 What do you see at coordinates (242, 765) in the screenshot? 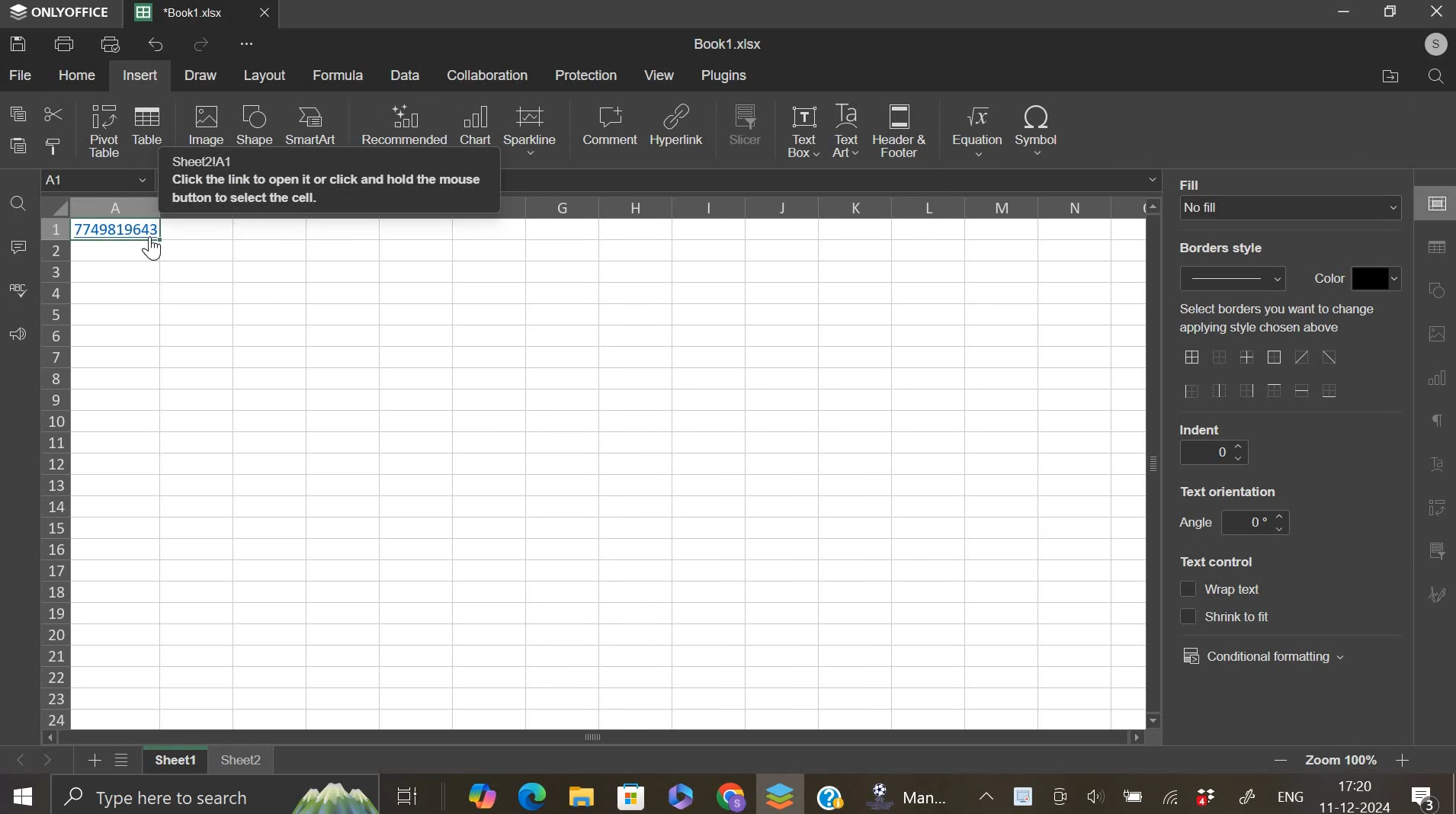
I see `sheet 2` at bounding box center [242, 765].